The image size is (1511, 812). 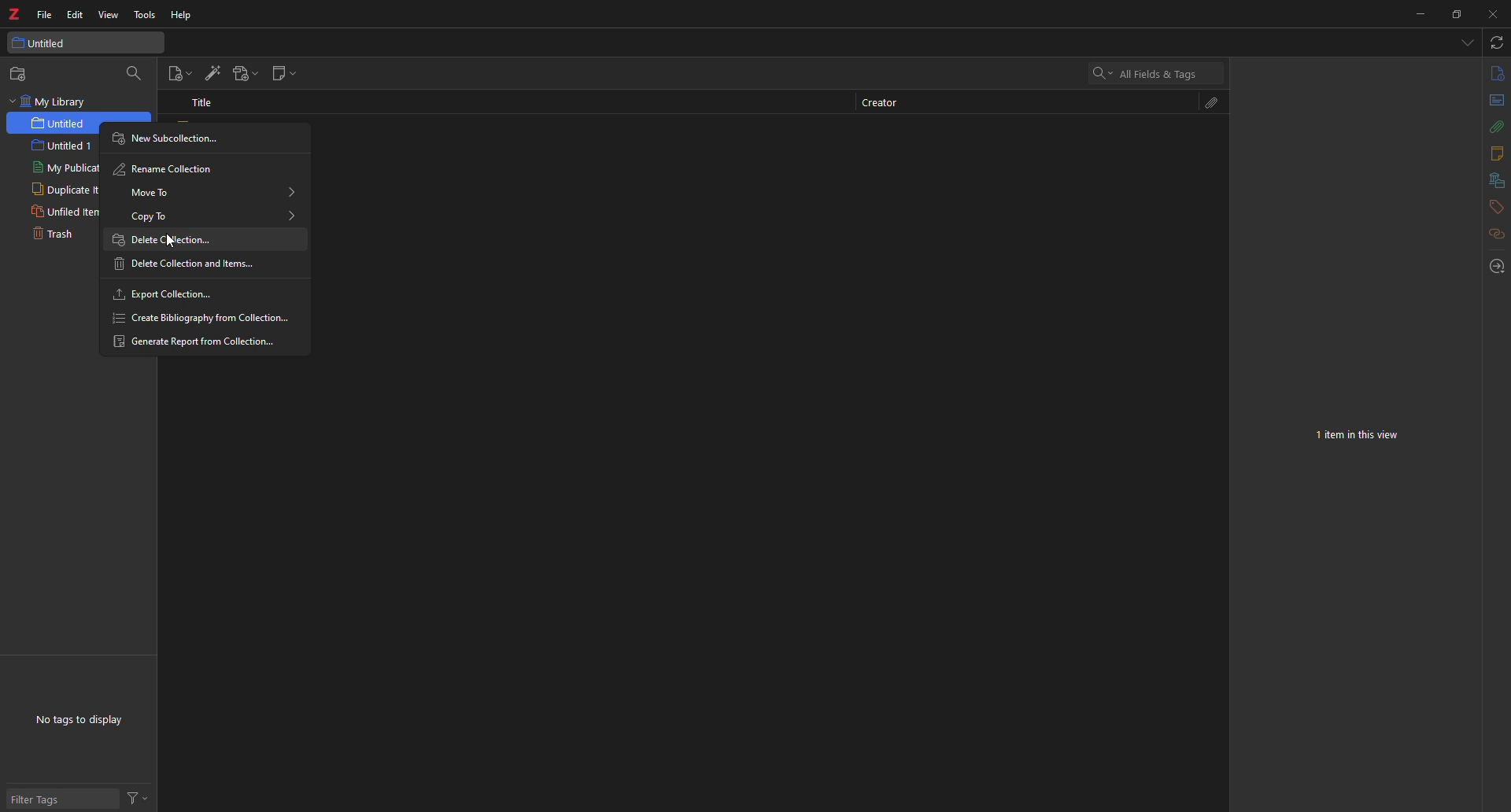 What do you see at coordinates (39, 14) in the screenshot?
I see `file` at bounding box center [39, 14].